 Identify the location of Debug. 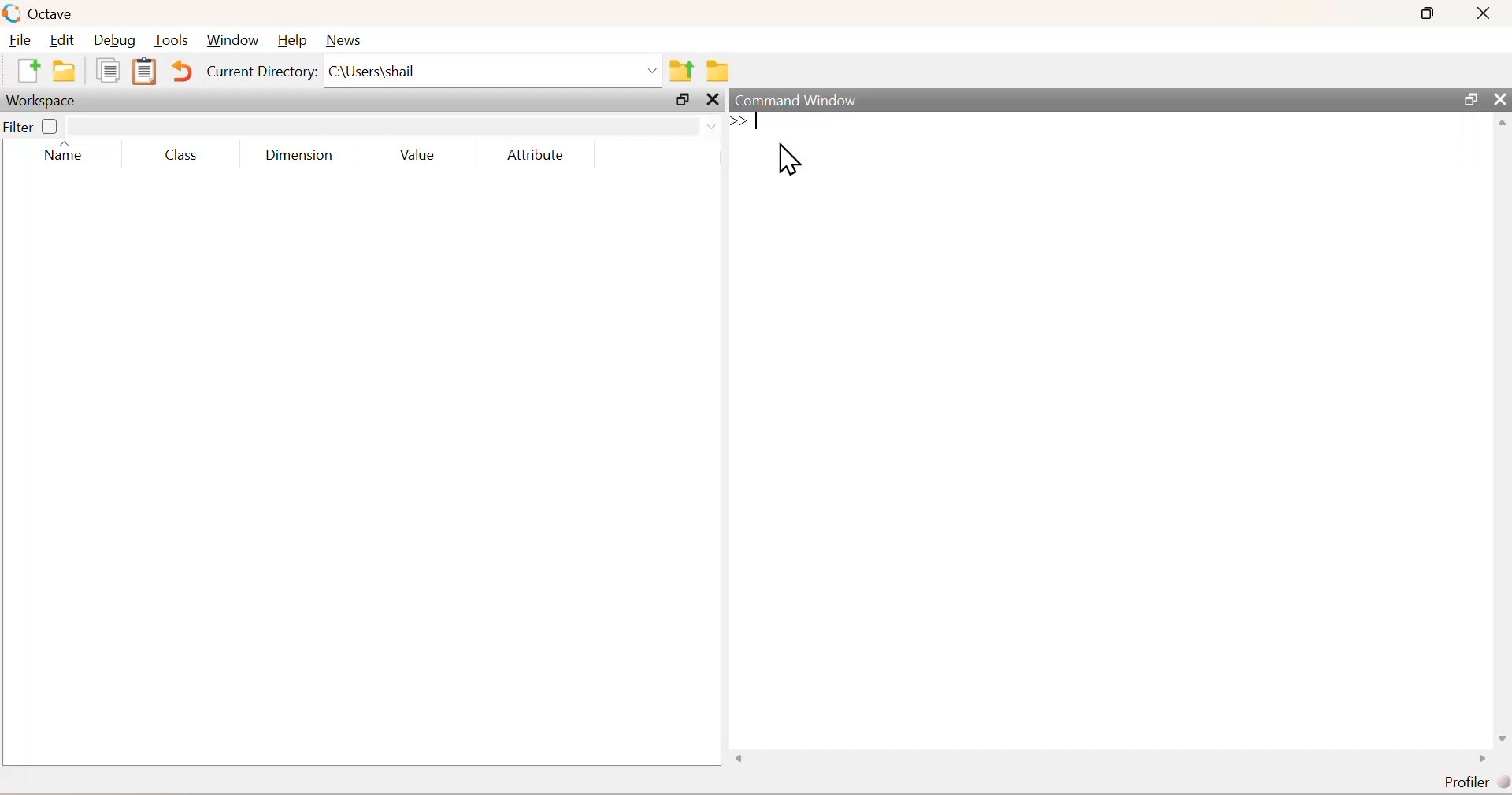
(115, 39).